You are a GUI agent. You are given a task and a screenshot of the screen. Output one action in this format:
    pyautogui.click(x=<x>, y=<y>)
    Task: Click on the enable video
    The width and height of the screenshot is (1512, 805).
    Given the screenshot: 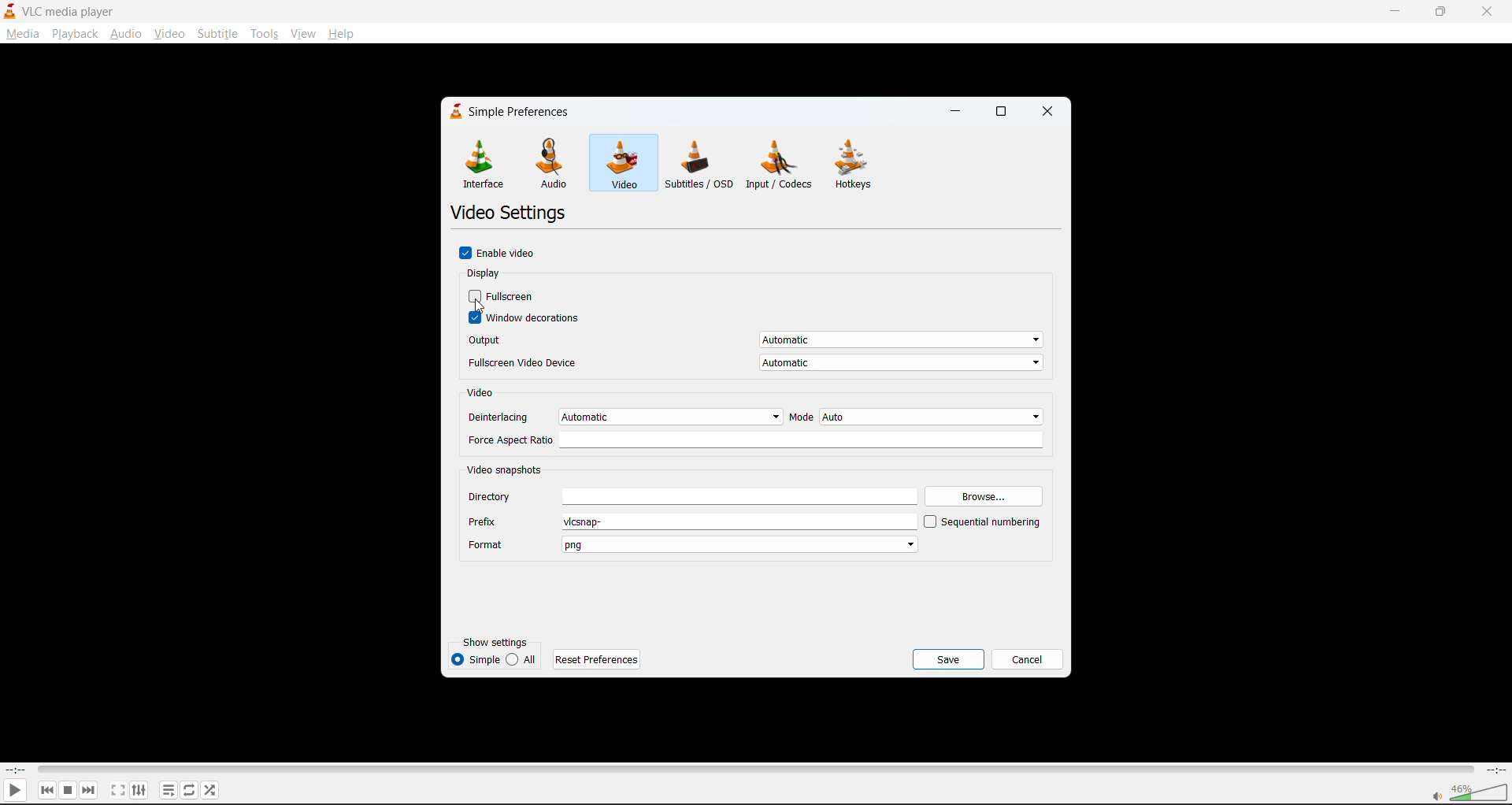 What is the action you would take?
    pyautogui.click(x=499, y=254)
    